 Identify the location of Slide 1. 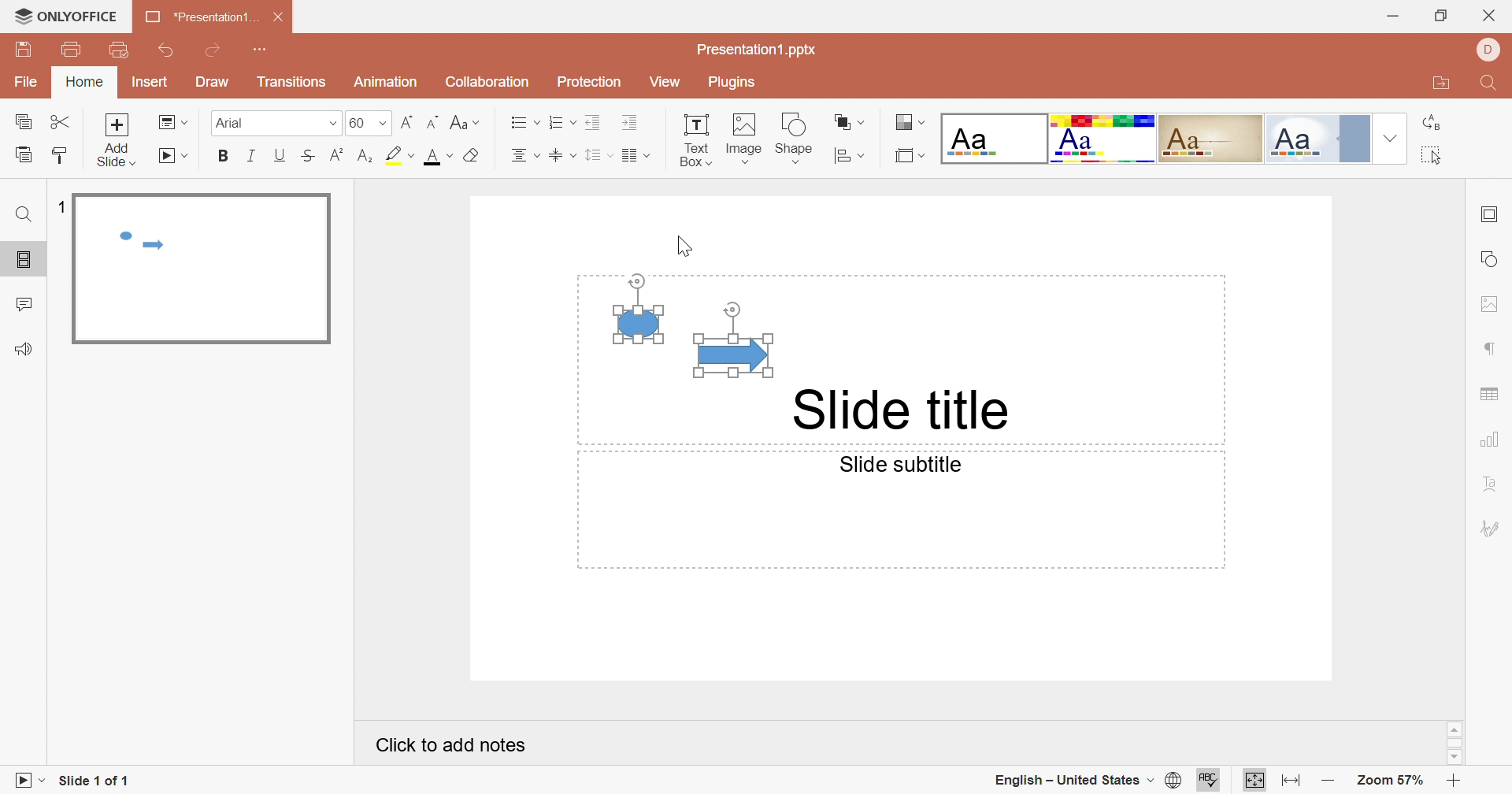
(206, 270).